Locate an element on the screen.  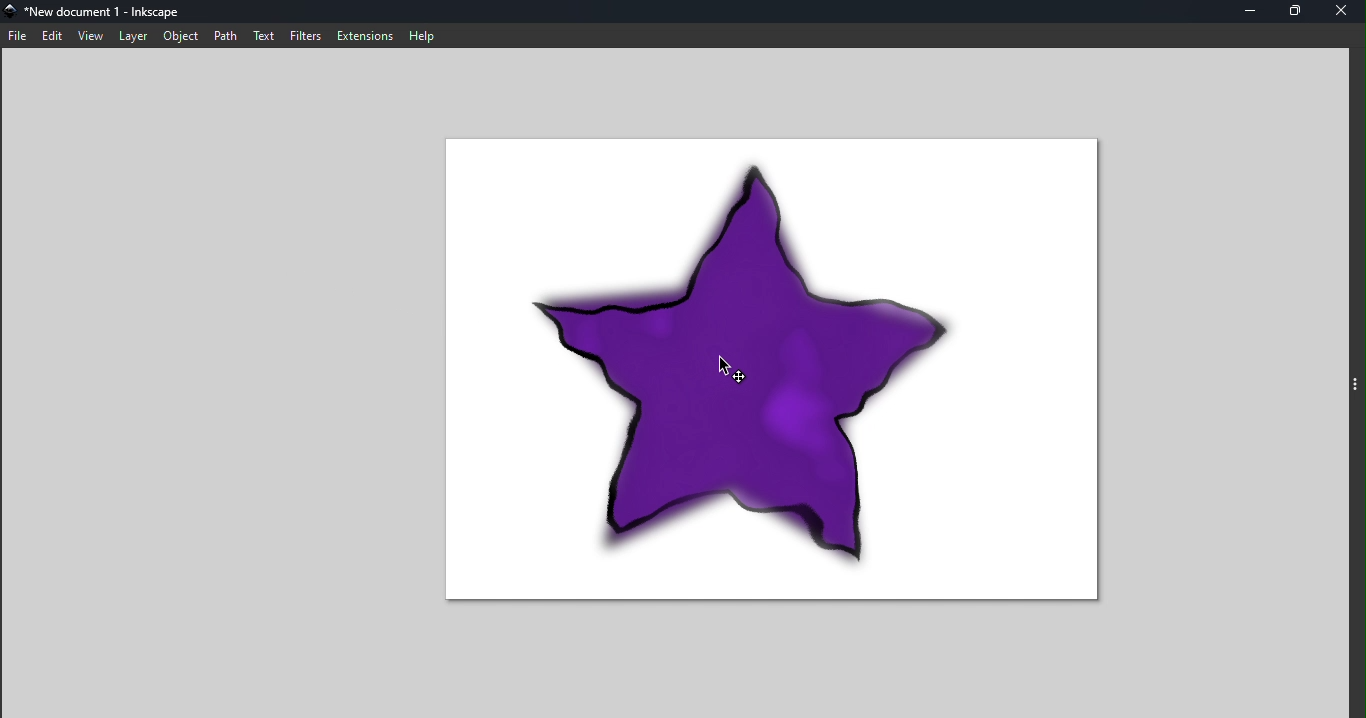
Path is located at coordinates (226, 36).